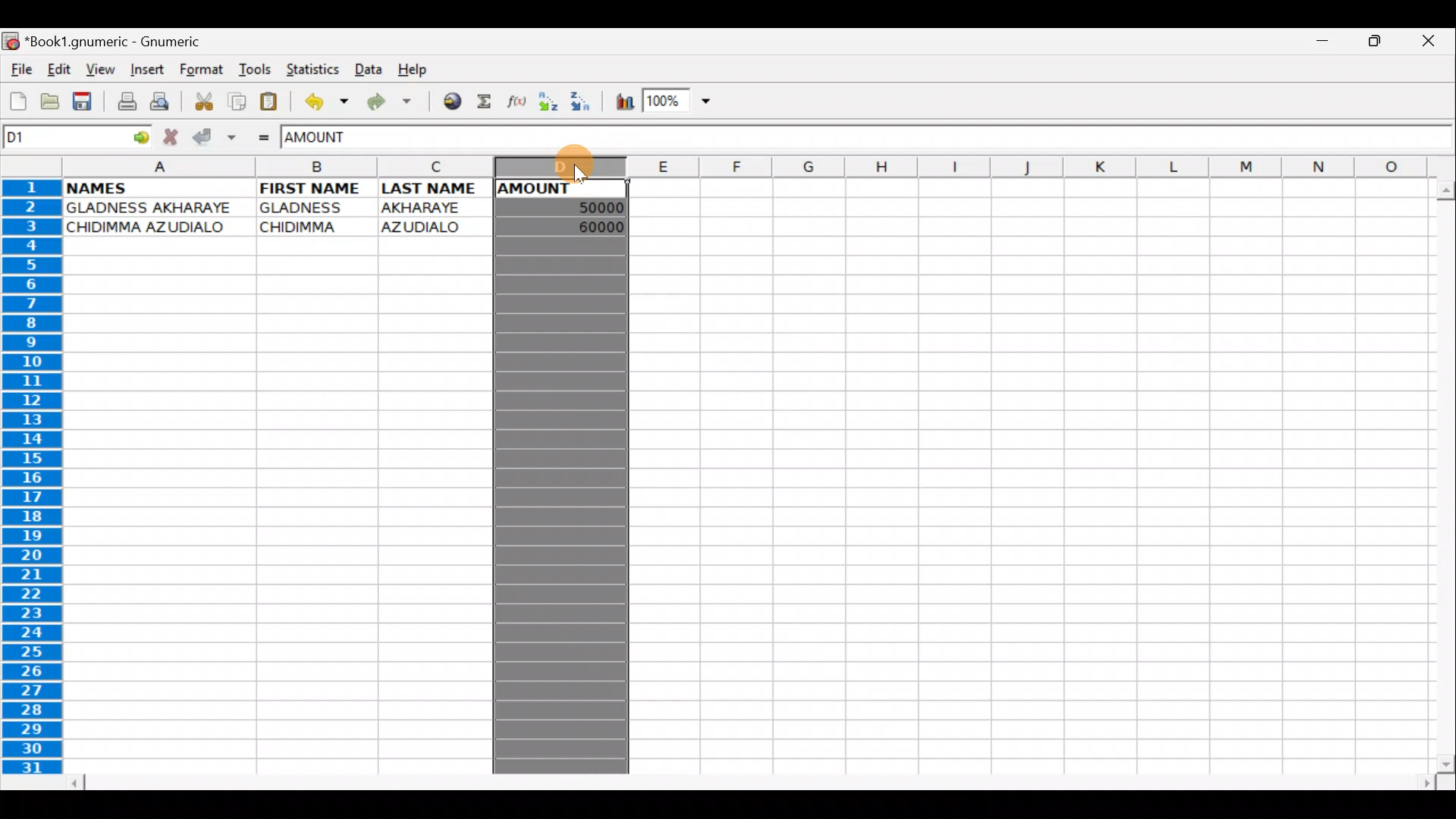 The image size is (1456, 819). Describe the element at coordinates (619, 102) in the screenshot. I see `Insert Chart` at that location.